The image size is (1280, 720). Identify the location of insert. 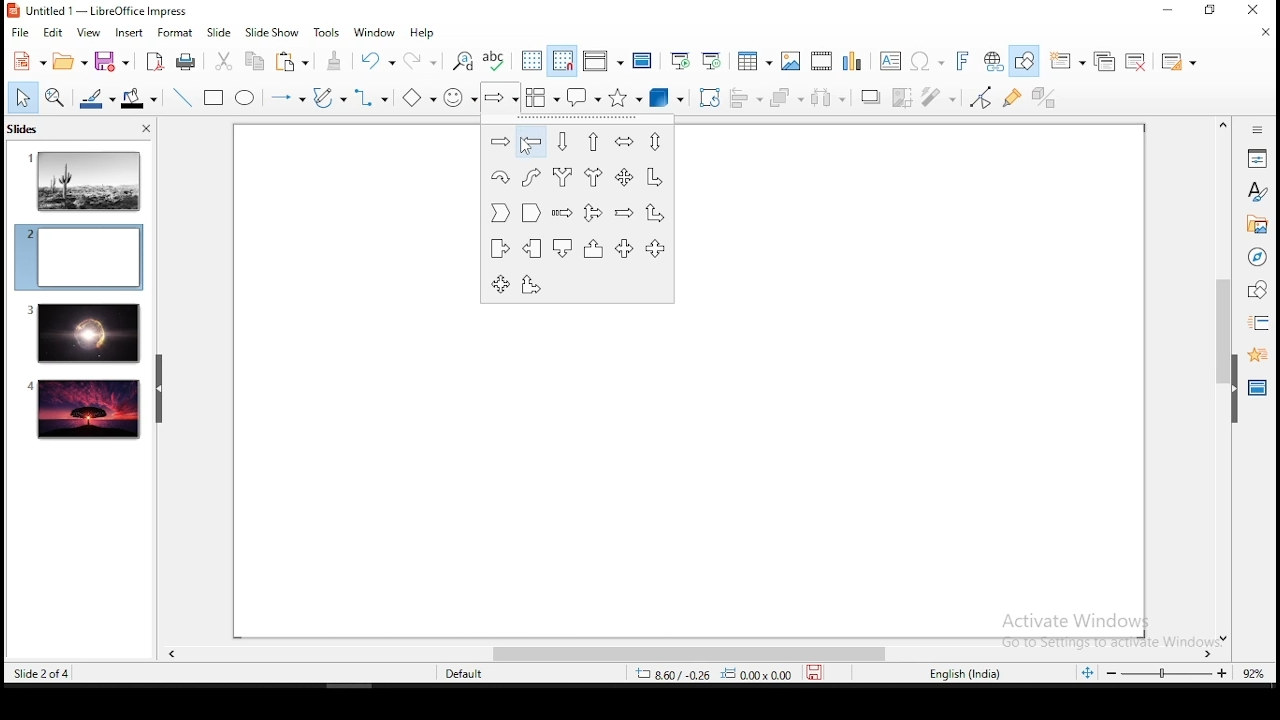
(129, 32).